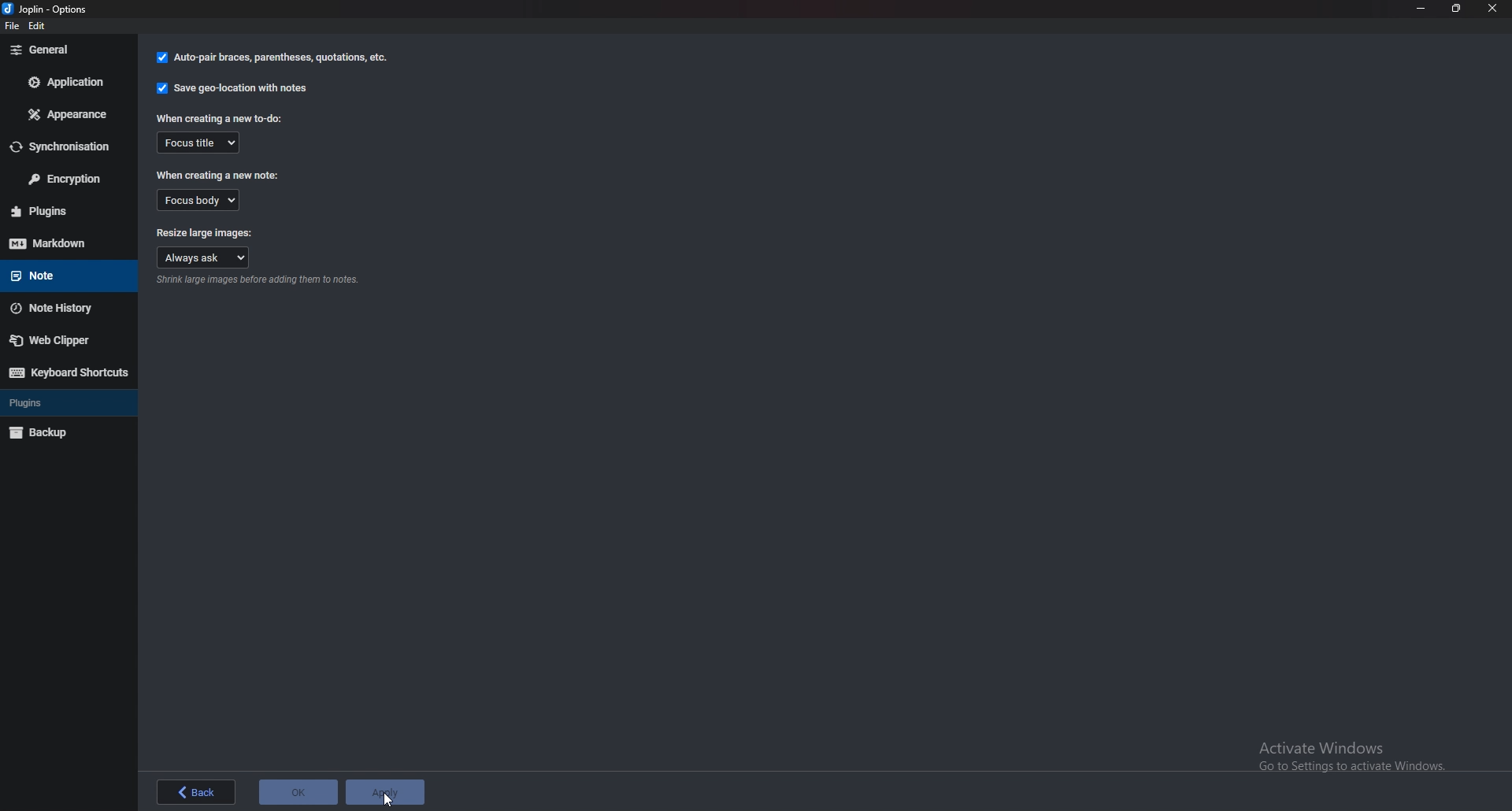 Image resolution: width=1512 pixels, height=811 pixels. I want to click on Resize large images, so click(220, 233).